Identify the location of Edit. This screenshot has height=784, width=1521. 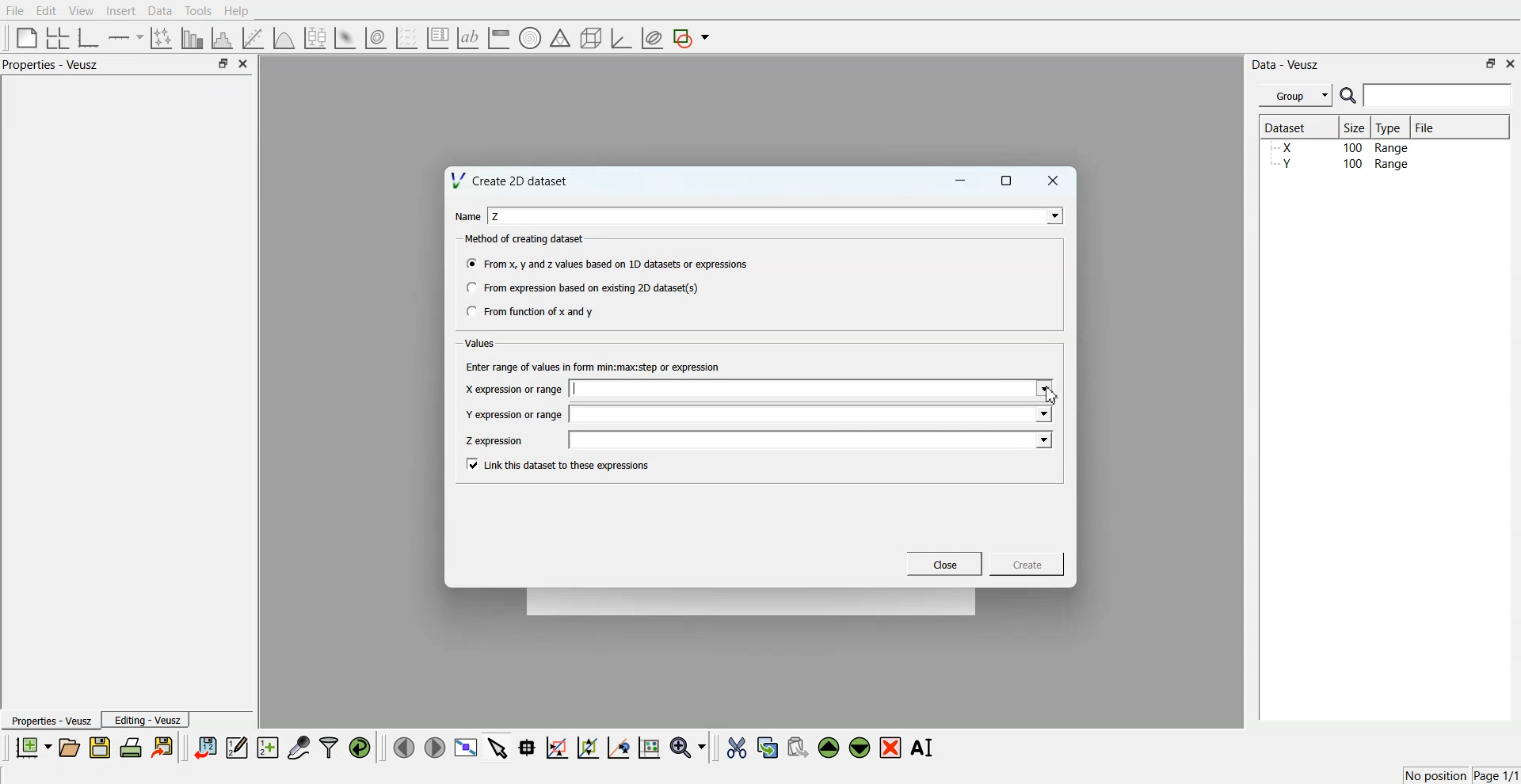
(45, 11).